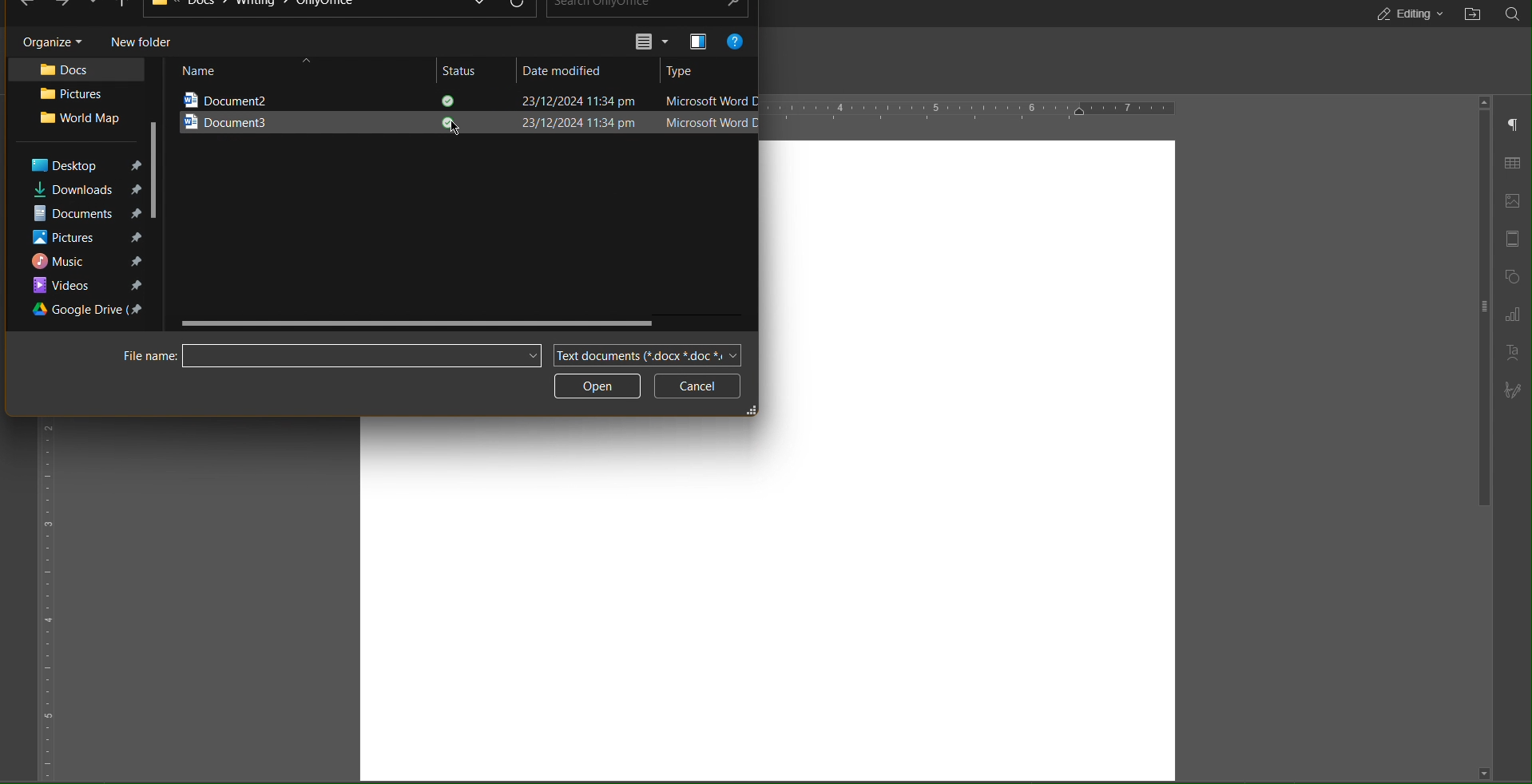 The width and height of the screenshot is (1532, 784). What do you see at coordinates (78, 190) in the screenshot?
I see `Downloads` at bounding box center [78, 190].